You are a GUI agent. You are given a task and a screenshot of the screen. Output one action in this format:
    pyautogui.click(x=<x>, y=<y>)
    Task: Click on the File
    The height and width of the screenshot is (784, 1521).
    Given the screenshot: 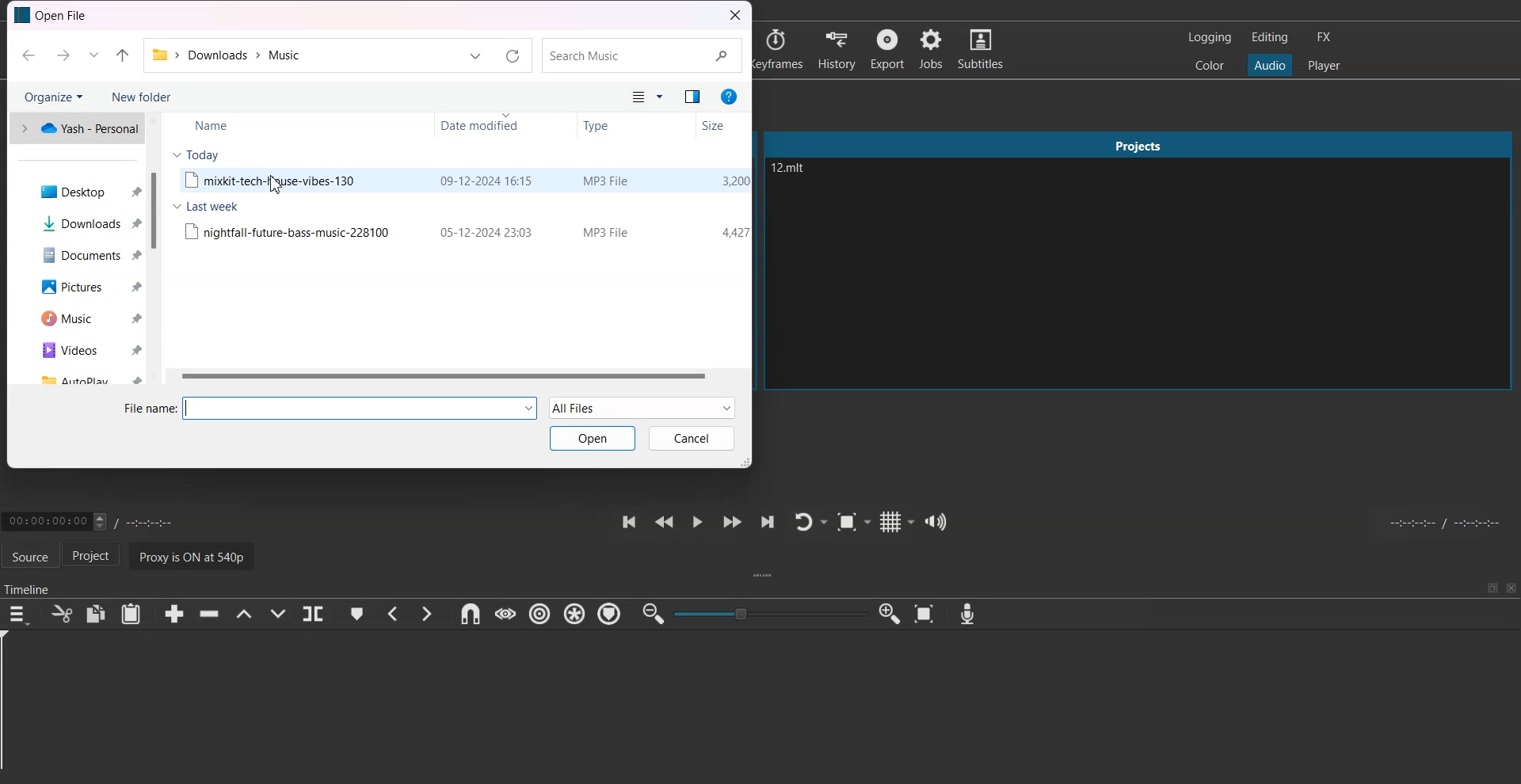 What is the action you would take?
    pyautogui.click(x=463, y=182)
    